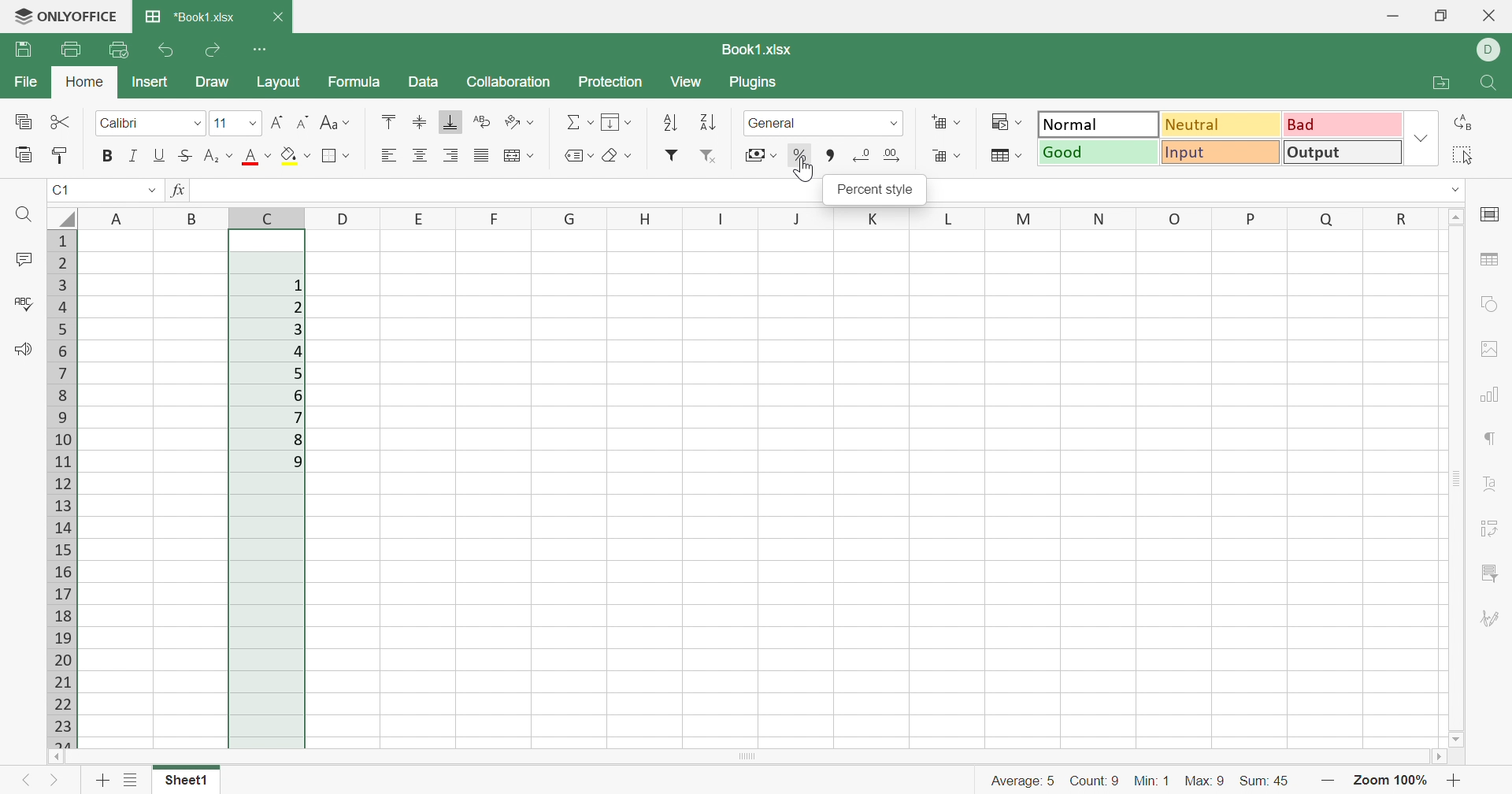  Describe the element at coordinates (215, 50) in the screenshot. I see `Redo` at that location.